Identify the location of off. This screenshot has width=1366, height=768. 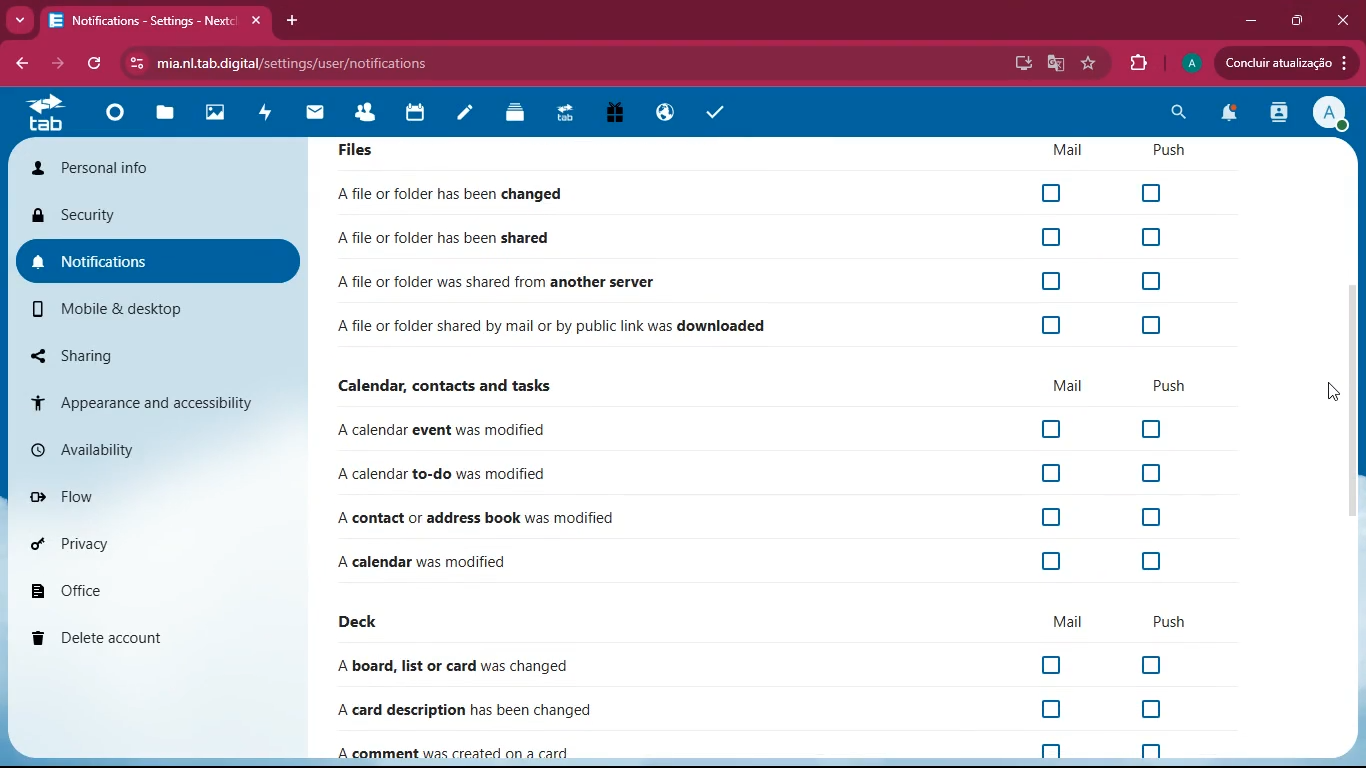
(1152, 517).